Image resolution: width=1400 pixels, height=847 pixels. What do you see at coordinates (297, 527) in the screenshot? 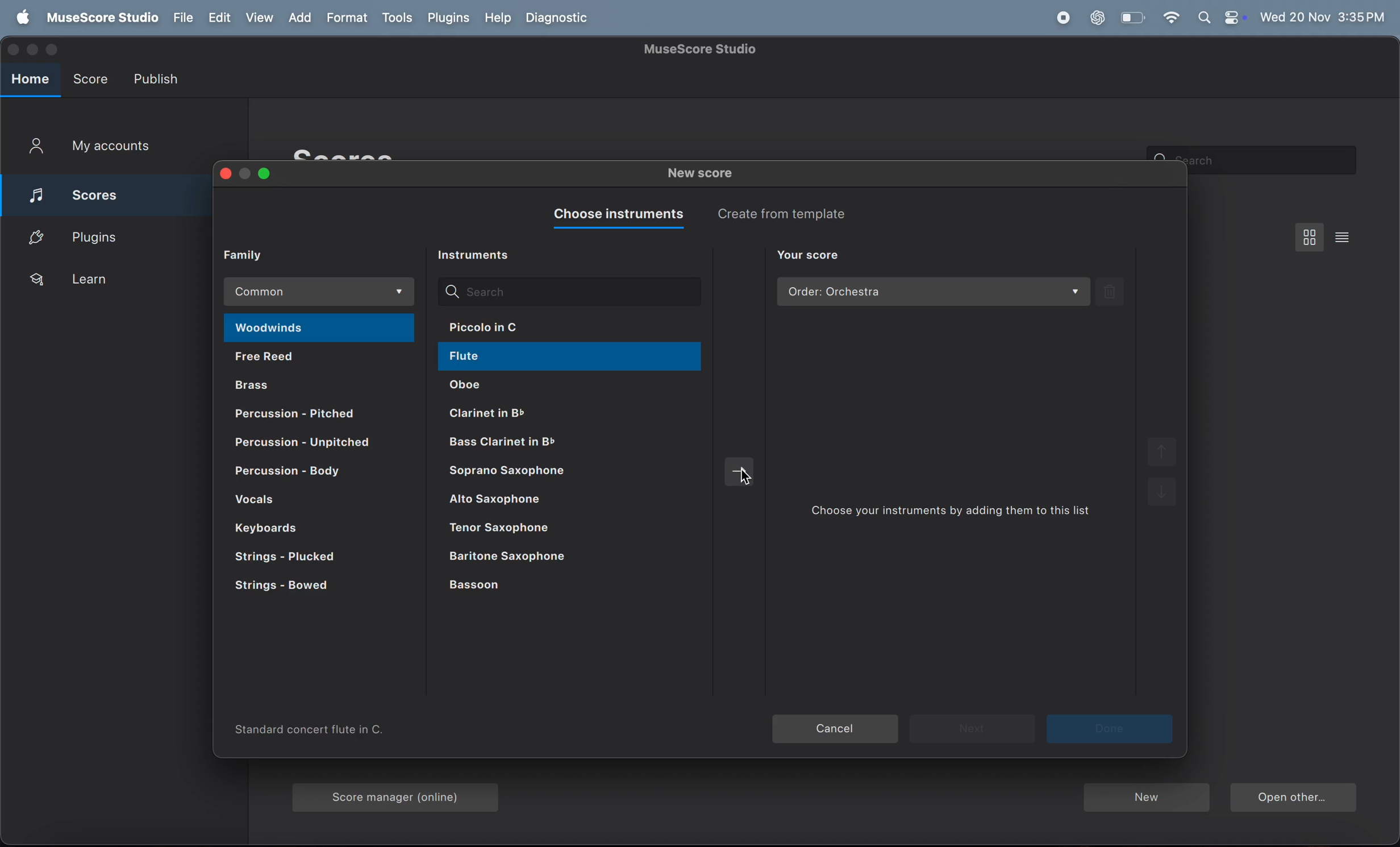
I see `keyboard` at bounding box center [297, 527].